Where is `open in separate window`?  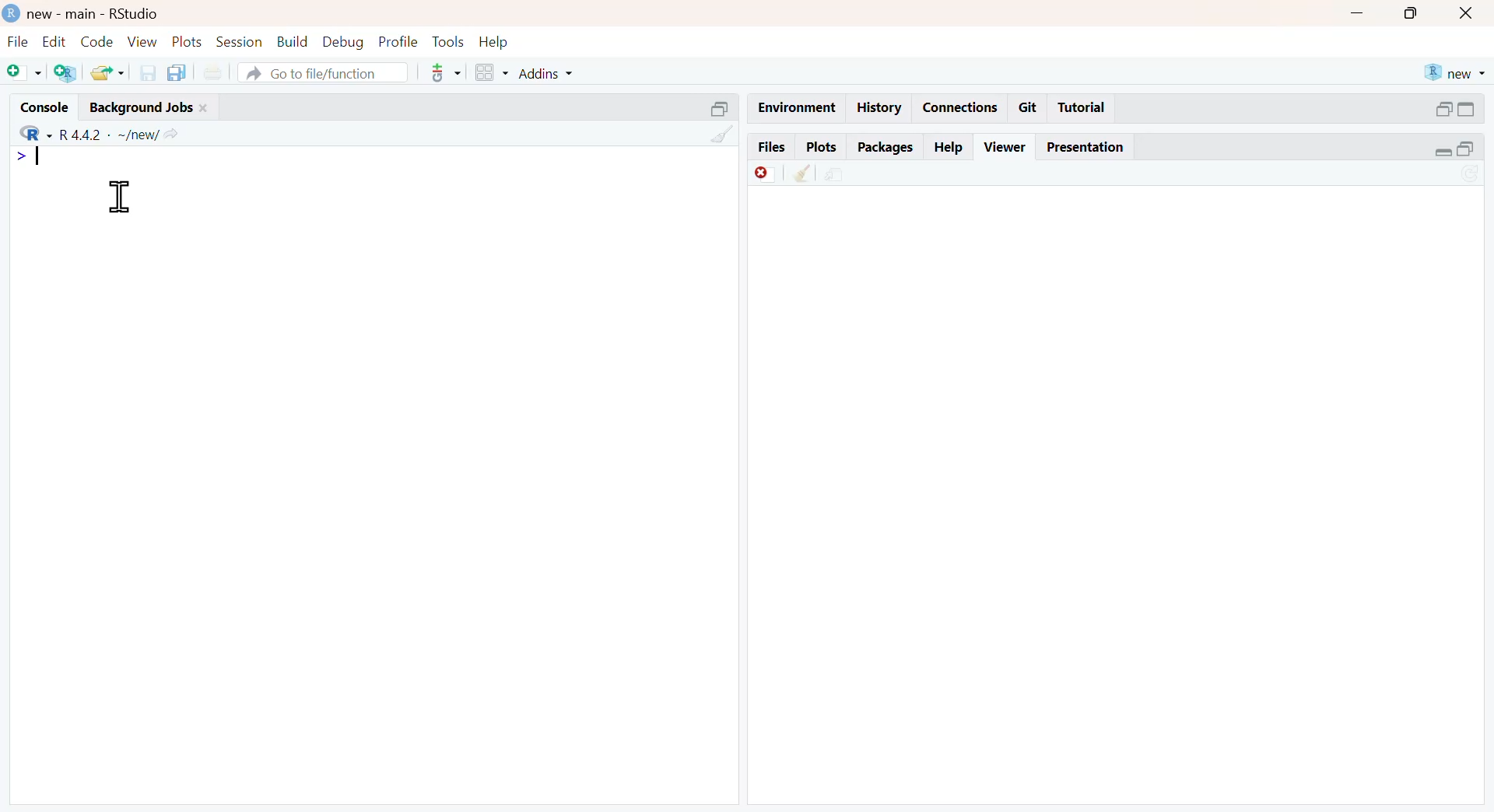 open in separate window is located at coordinates (721, 110).